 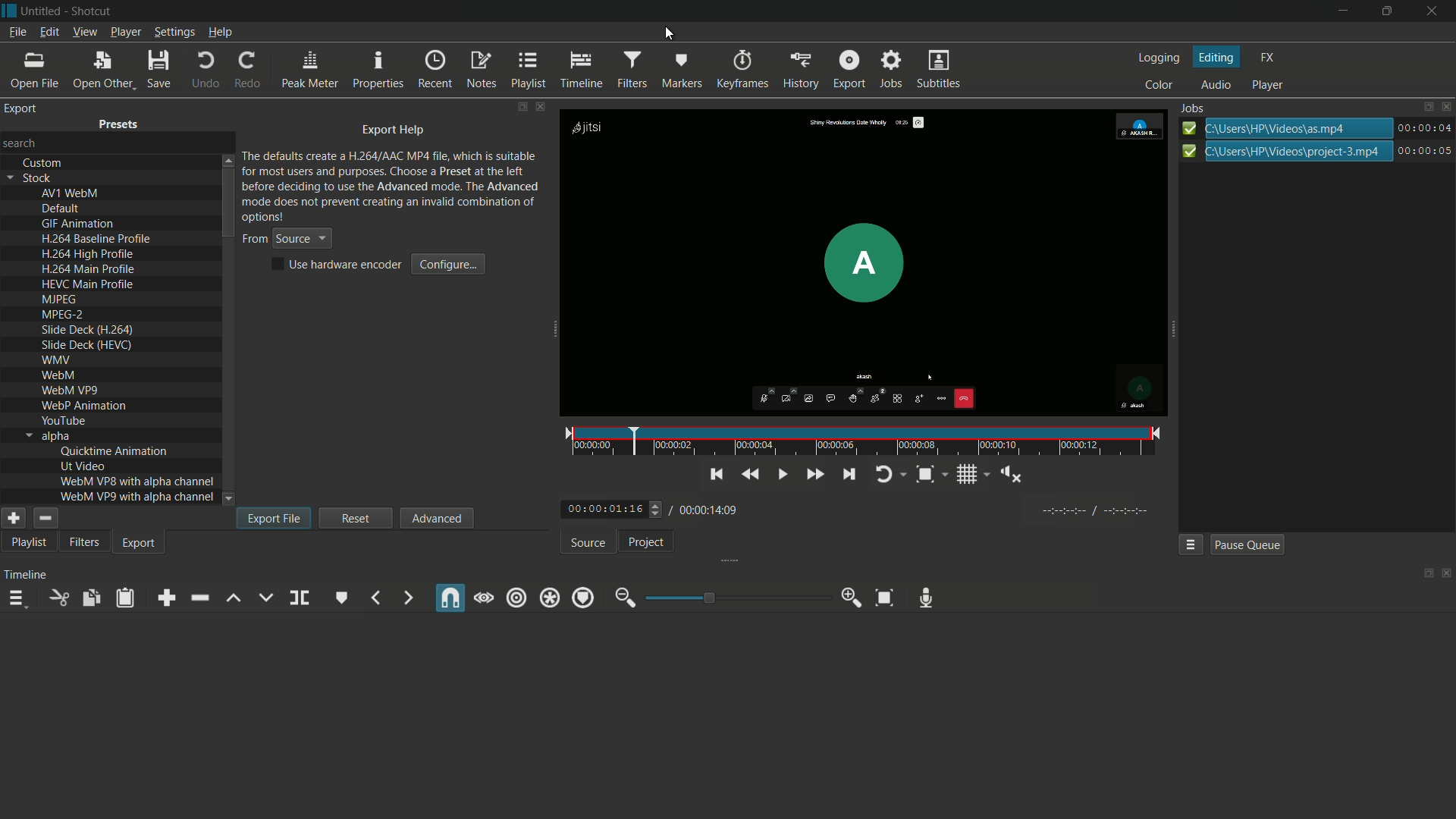 I want to click on playlist, so click(x=30, y=542).